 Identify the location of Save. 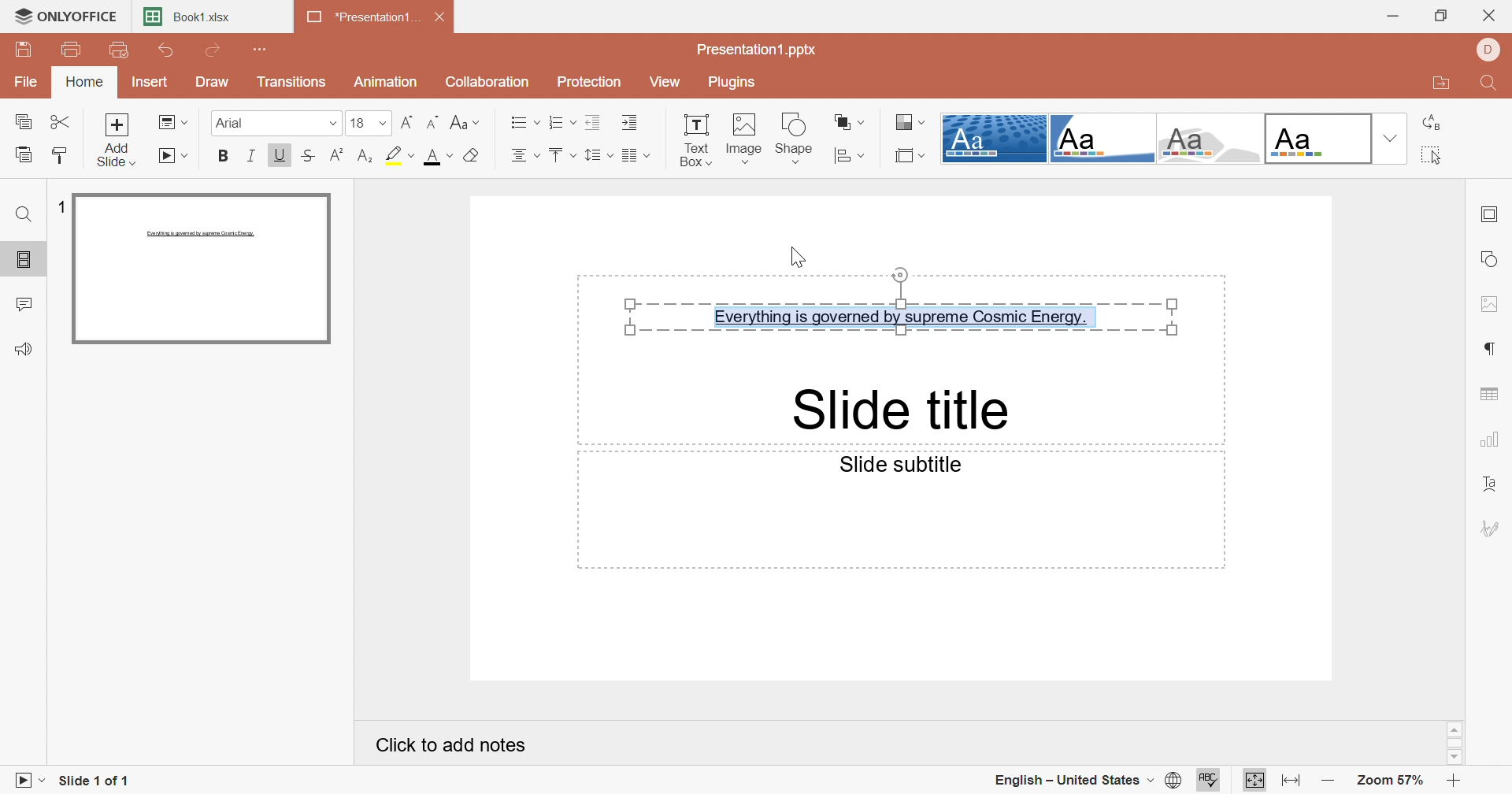
(28, 50).